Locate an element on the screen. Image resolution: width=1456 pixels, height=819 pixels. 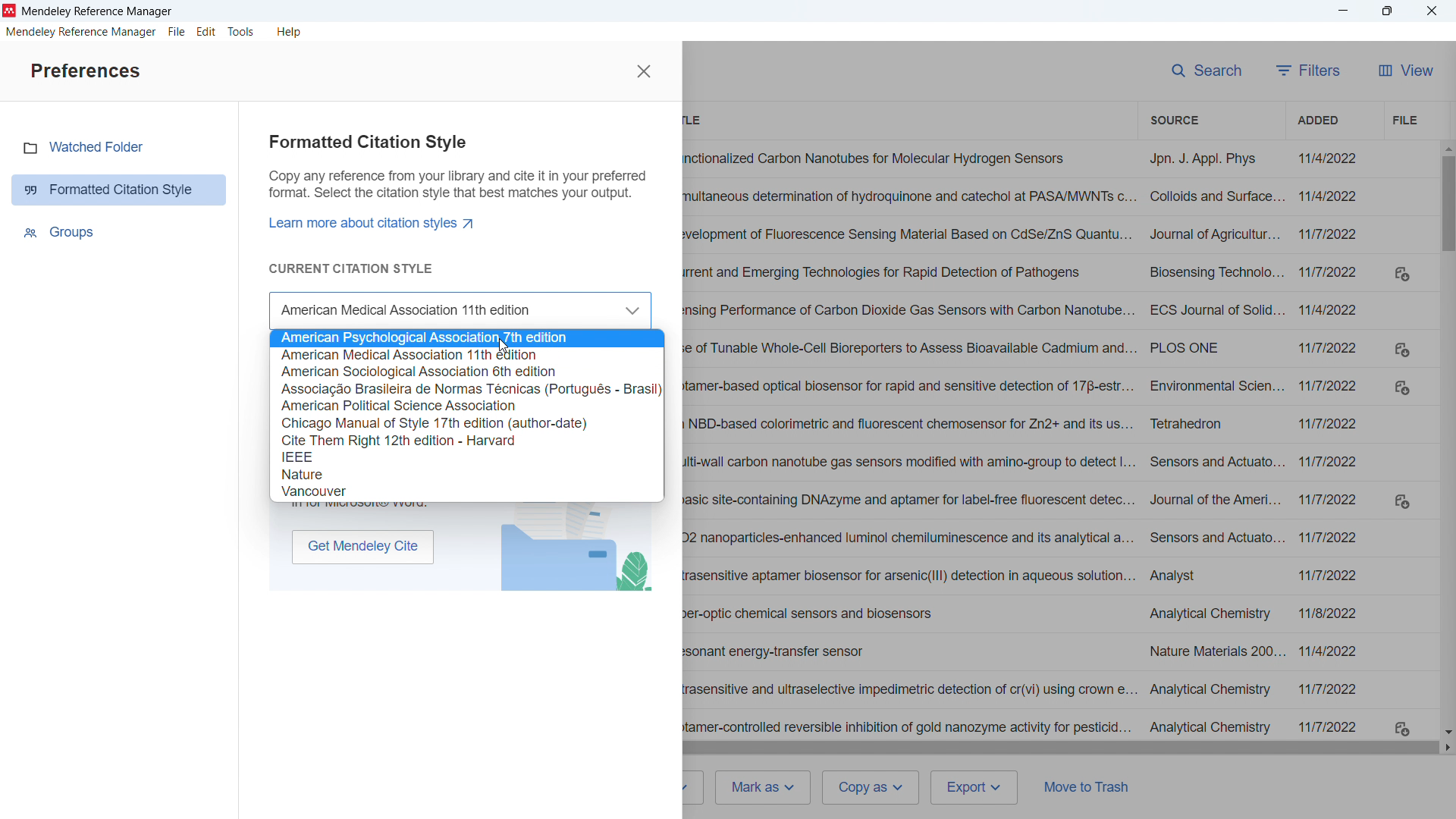
Vertical scroll bar  is located at coordinates (1447, 205).